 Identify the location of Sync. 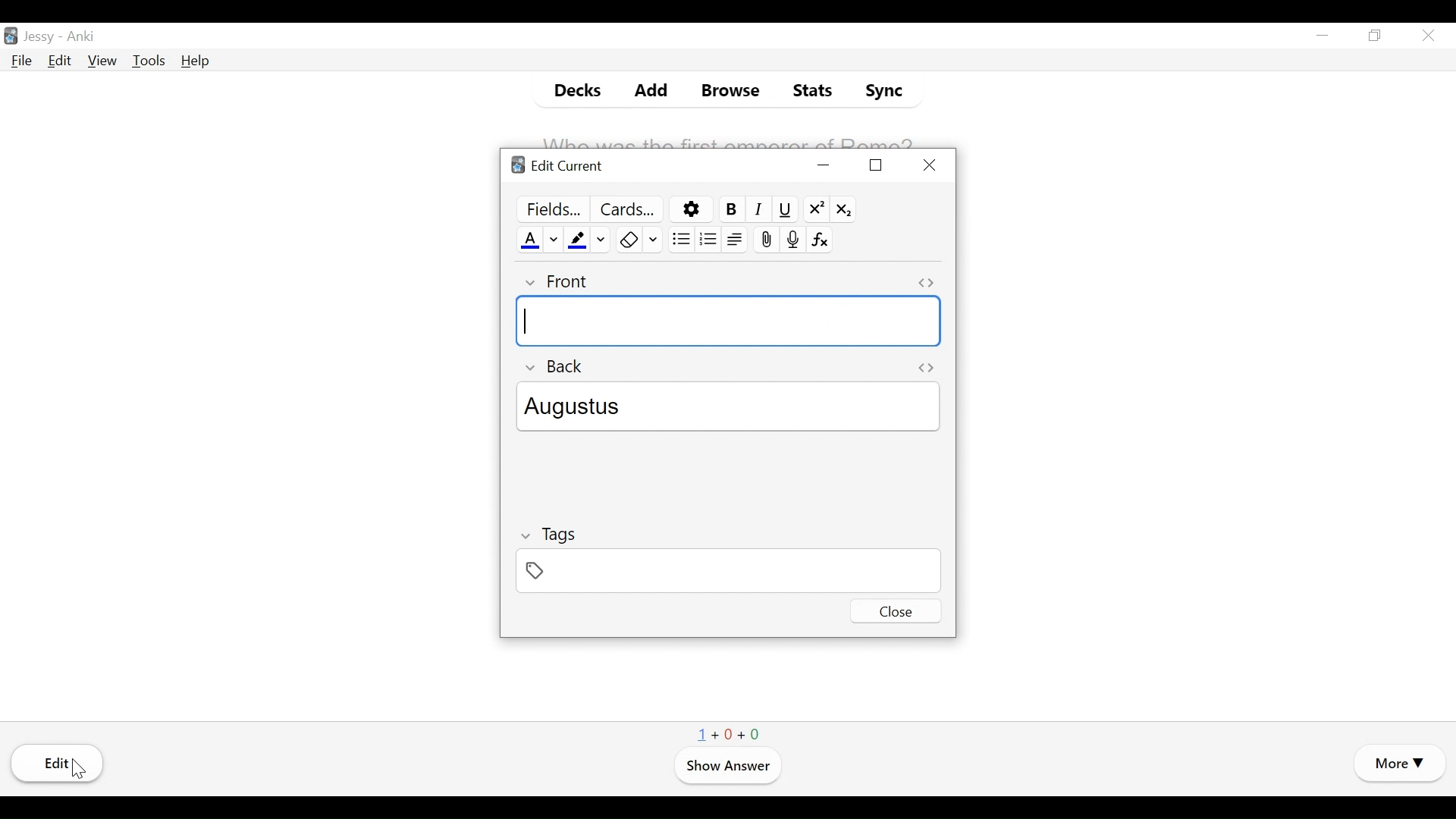
(880, 90).